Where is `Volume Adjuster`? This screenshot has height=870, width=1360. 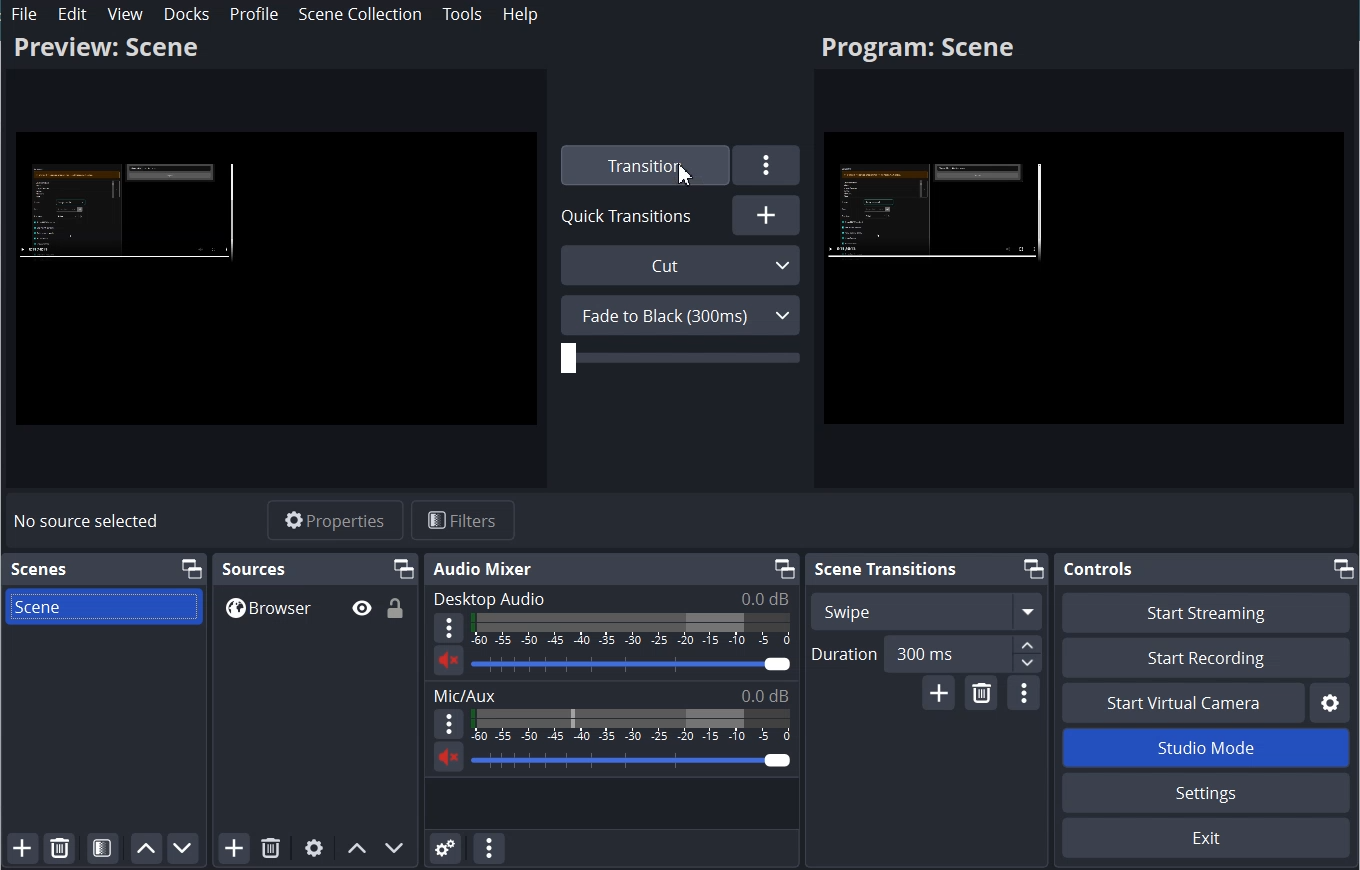 Volume Adjuster is located at coordinates (632, 760).